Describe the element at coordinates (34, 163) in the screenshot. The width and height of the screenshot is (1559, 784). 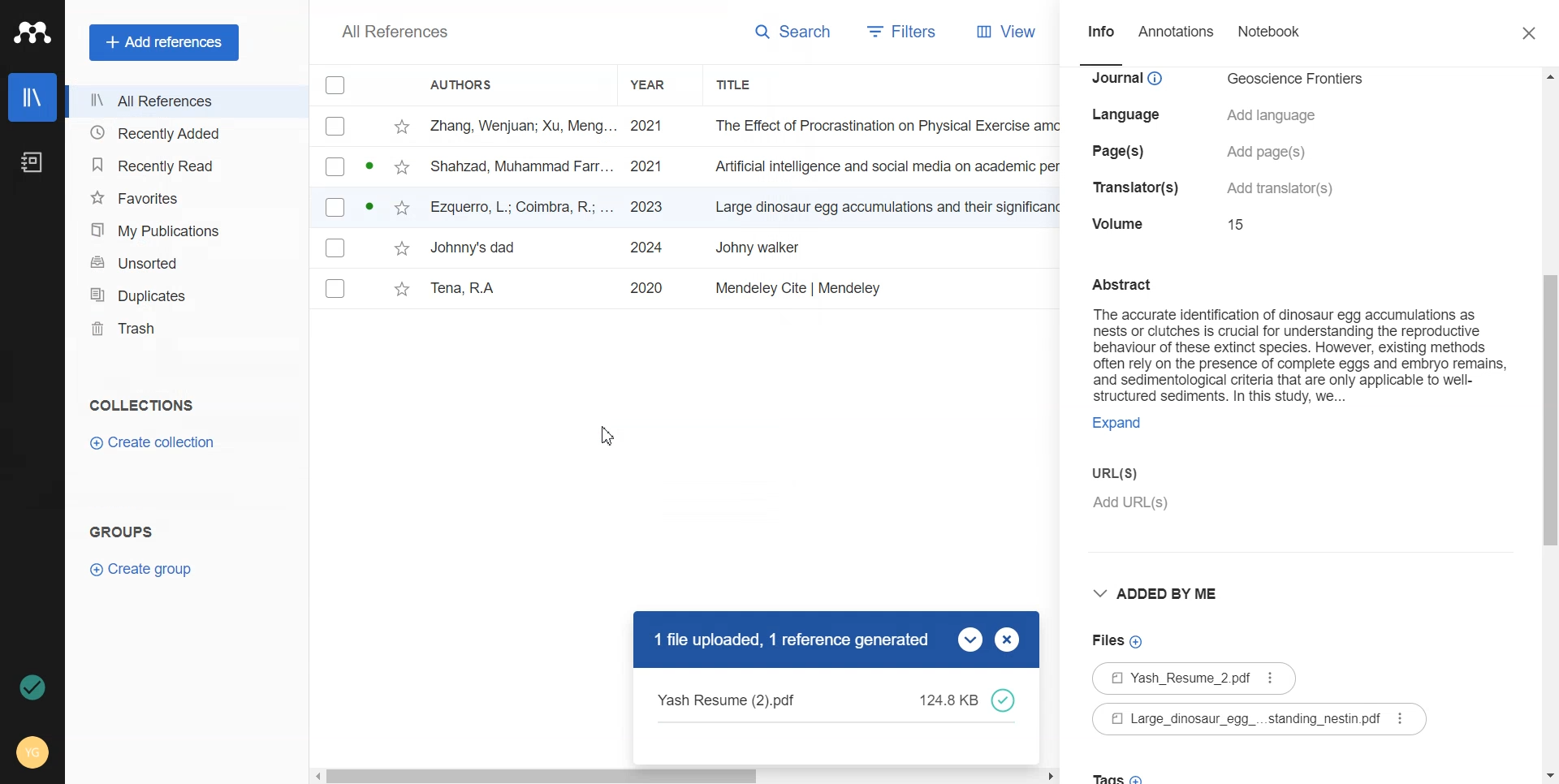
I see `Notebook` at that location.